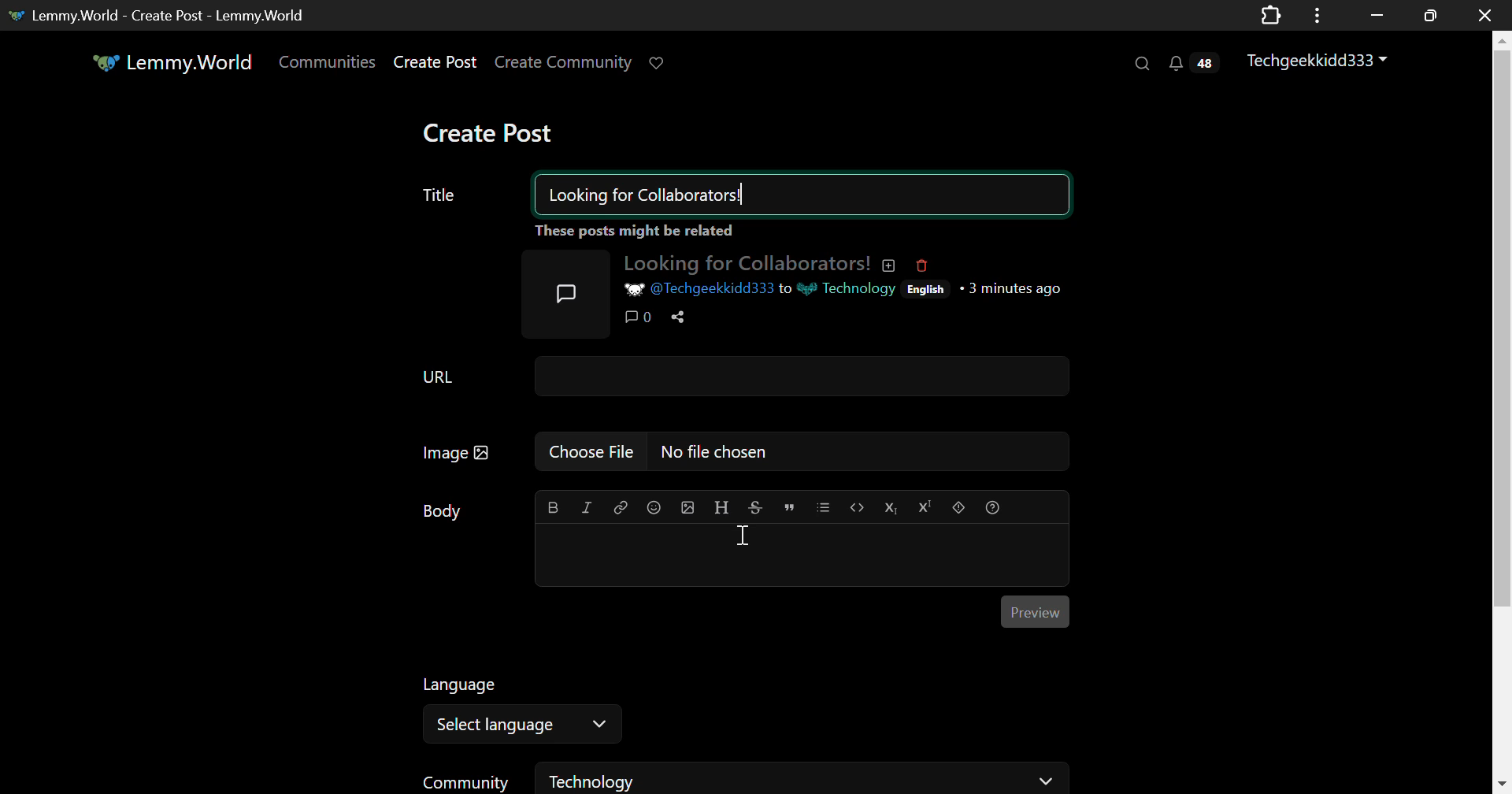 This screenshot has height=794, width=1512. Describe the element at coordinates (798, 232) in the screenshot. I see `These posts might be related` at that location.